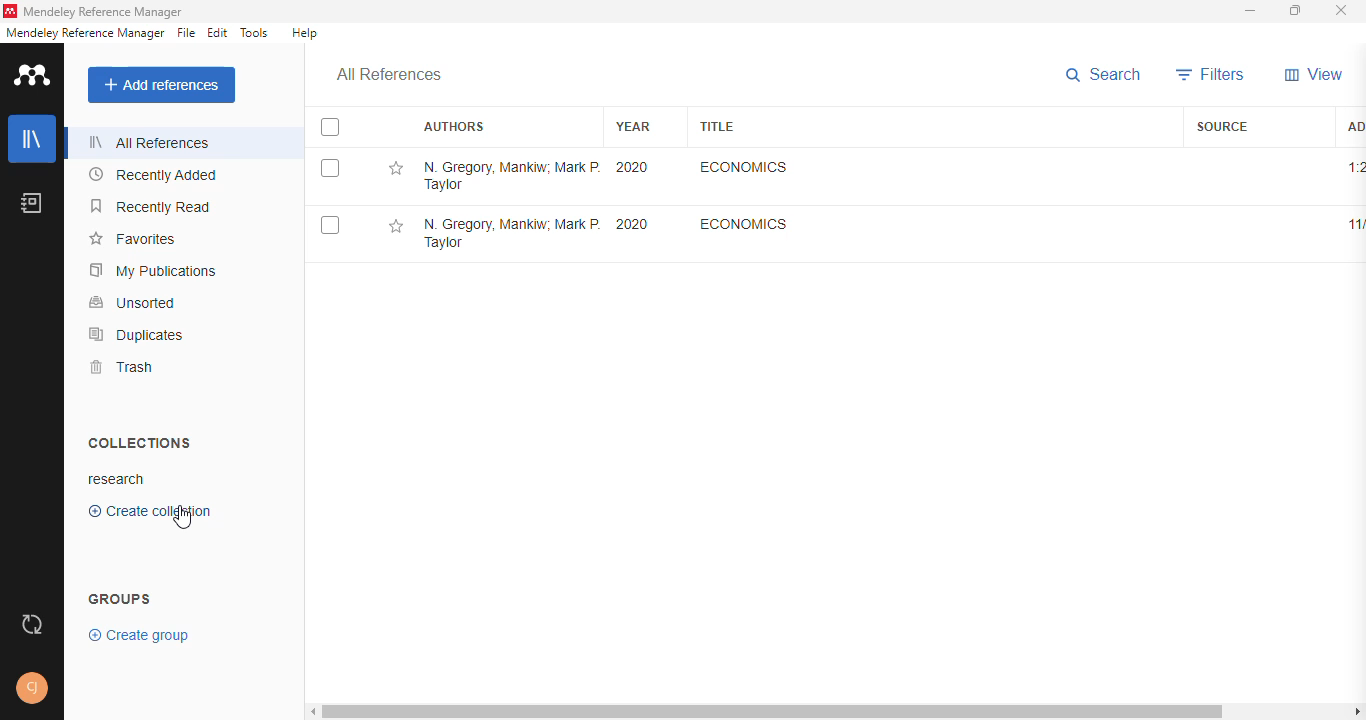 The width and height of the screenshot is (1366, 720). Describe the element at coordinates (9, 11) in the screenshot. I see `logo` at that location.